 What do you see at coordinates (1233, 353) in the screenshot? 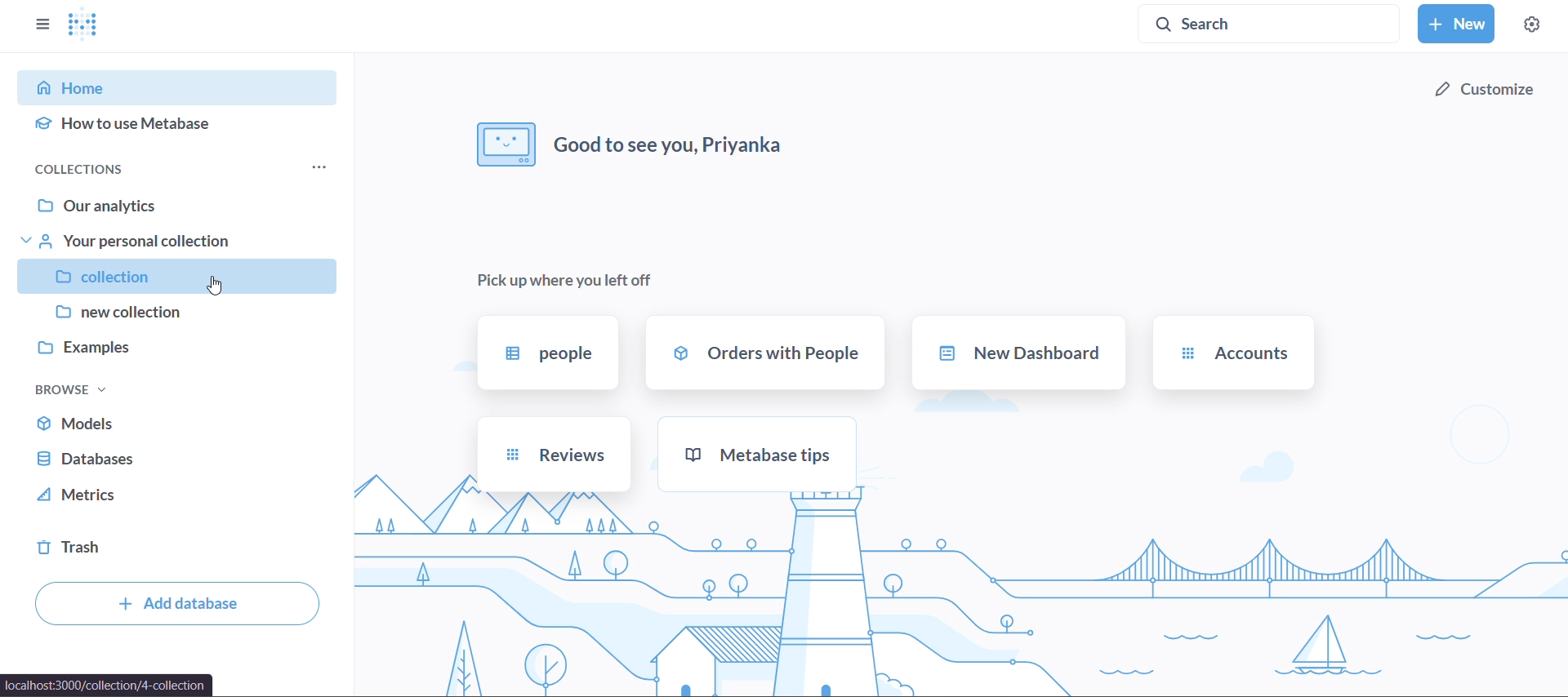
I see `accounts` at bounding box center [1233, 353].